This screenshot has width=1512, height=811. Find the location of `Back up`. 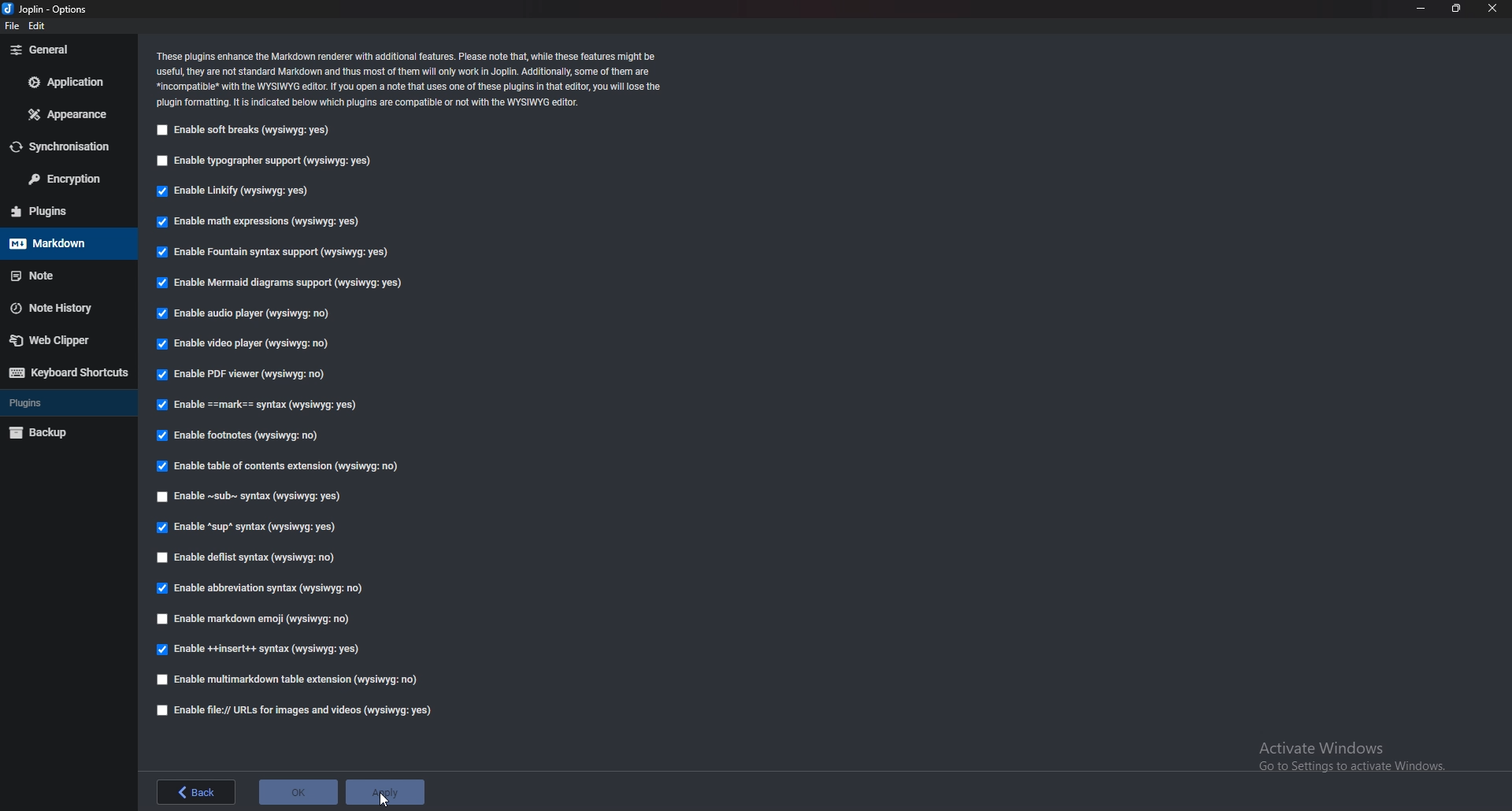

Back up is located at coordinates (63, 433).